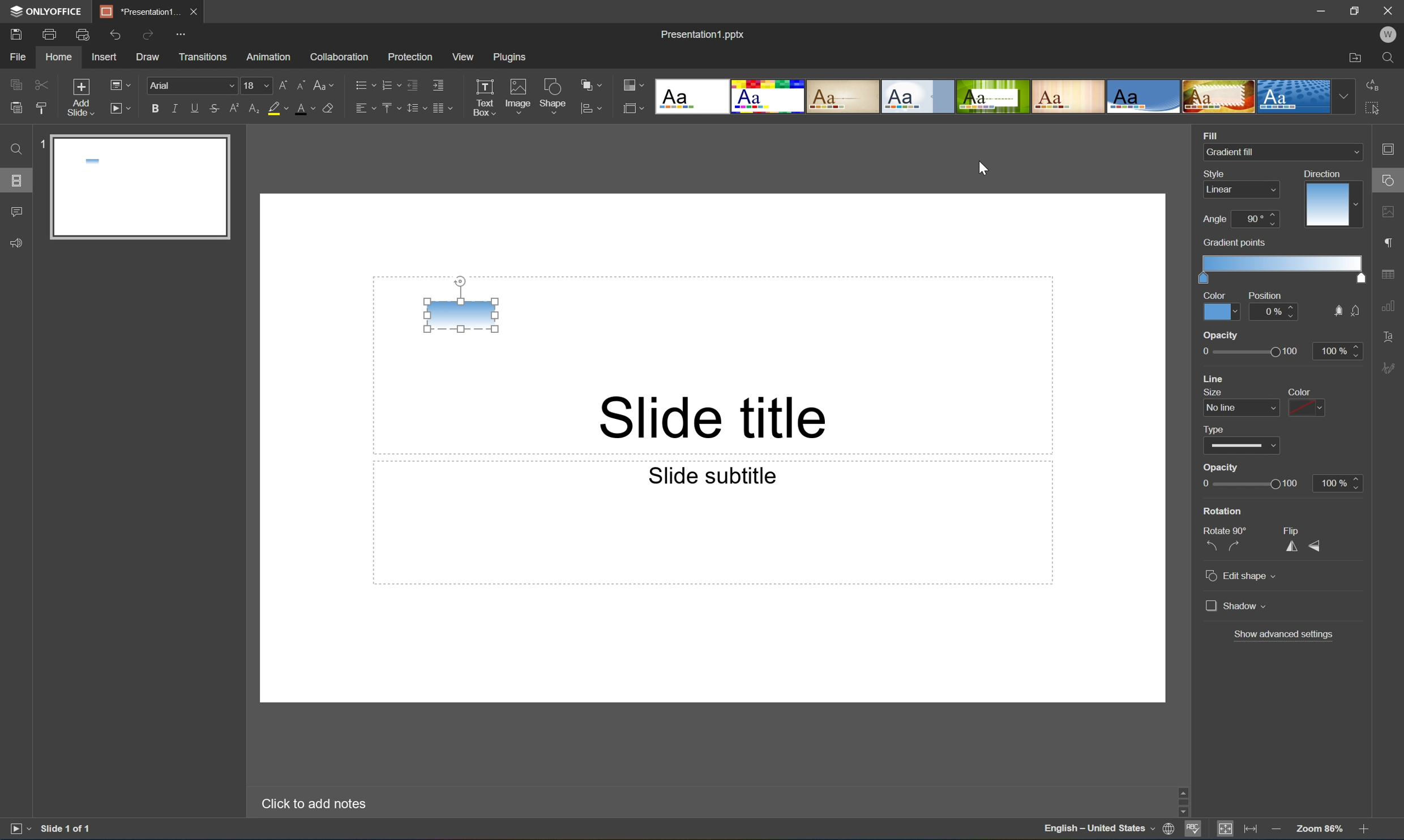 This screenshot has width=1404, height=840. What do you see at coordinates (18, 57) in the screenshot?
I see `File` at bounding box center [18, 57].